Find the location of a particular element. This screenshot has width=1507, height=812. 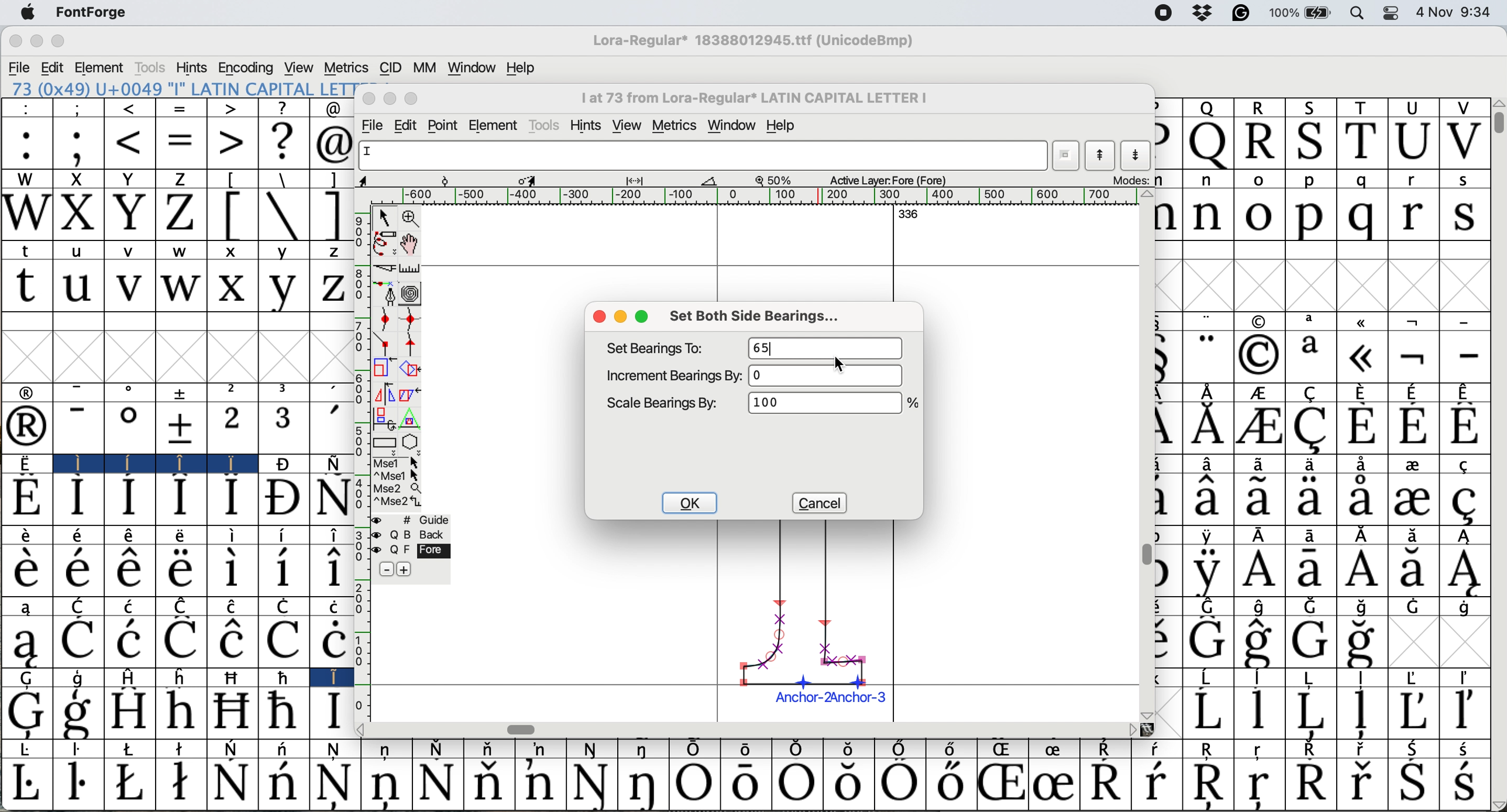

Symbol is located at coordinates (1205, 571).